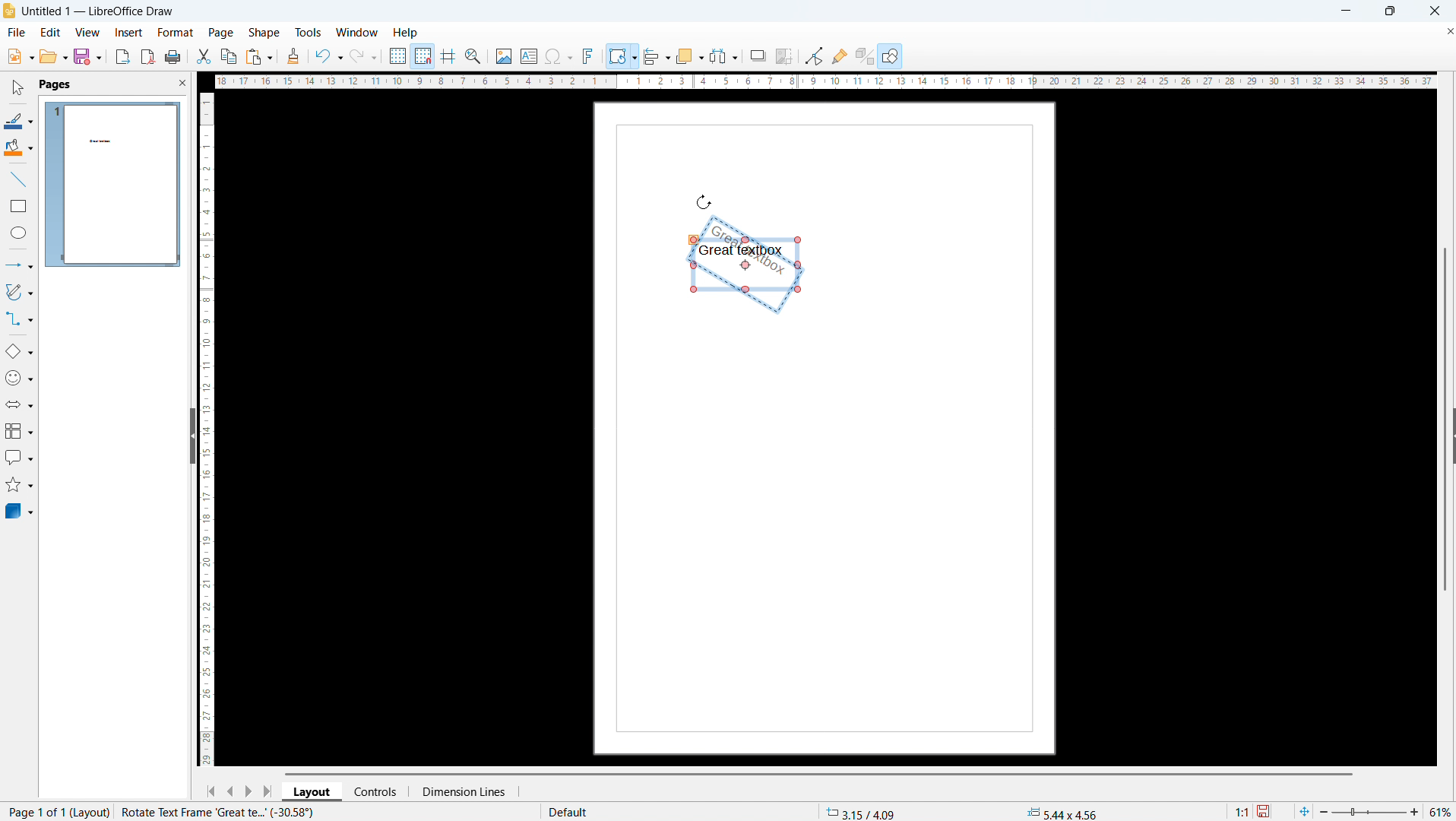 Image resolution: width=1456 pixels, height=821 pixels. What do you see at coordinates (784, 55) in the screenshot?
I see `crop image` at bounding box center [784, 55].